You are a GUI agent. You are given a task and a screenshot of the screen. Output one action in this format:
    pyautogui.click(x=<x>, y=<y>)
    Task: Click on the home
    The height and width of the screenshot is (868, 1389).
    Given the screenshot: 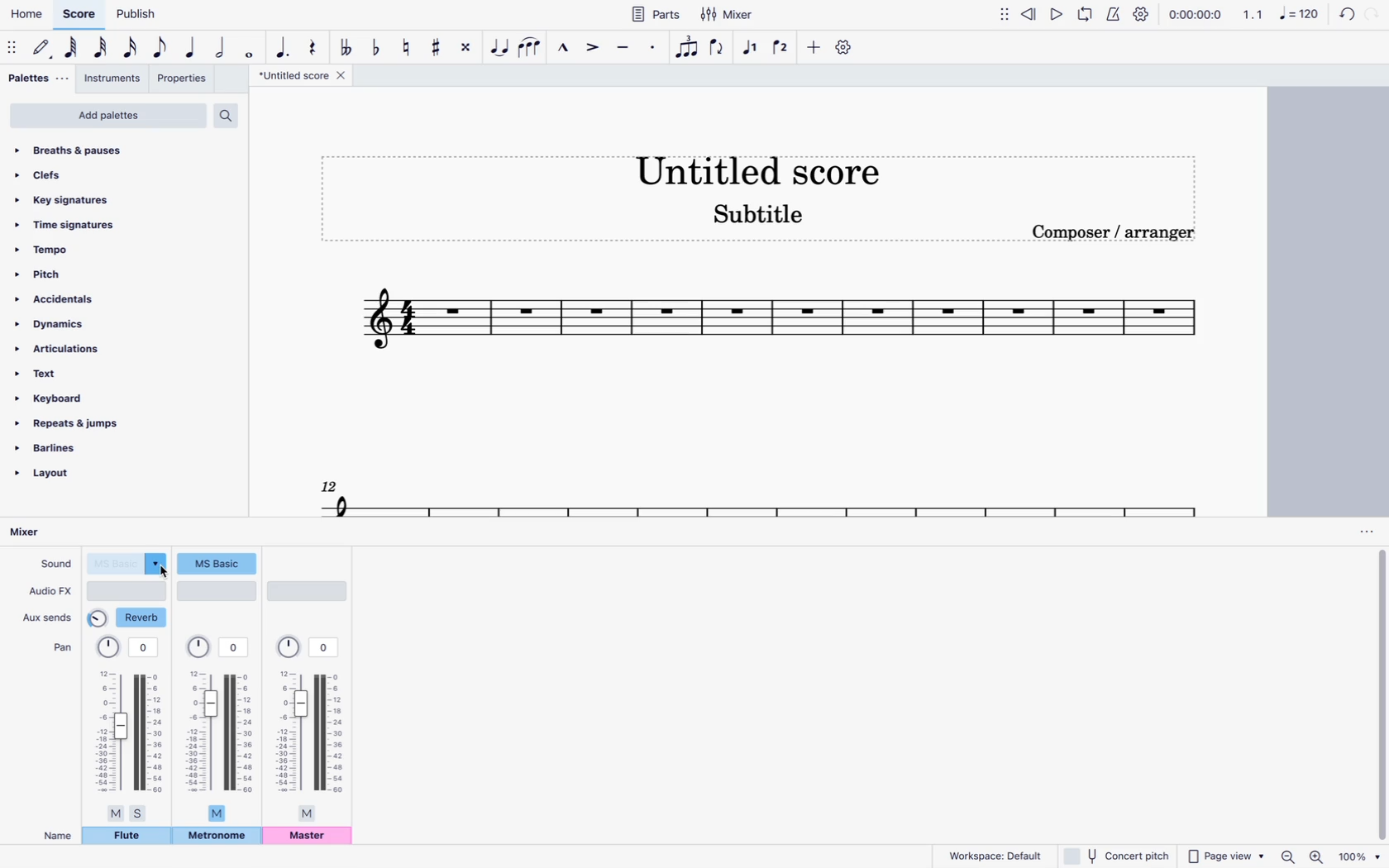 What is the action you would take?
    pyautogui.click(x=25, y=14)
    